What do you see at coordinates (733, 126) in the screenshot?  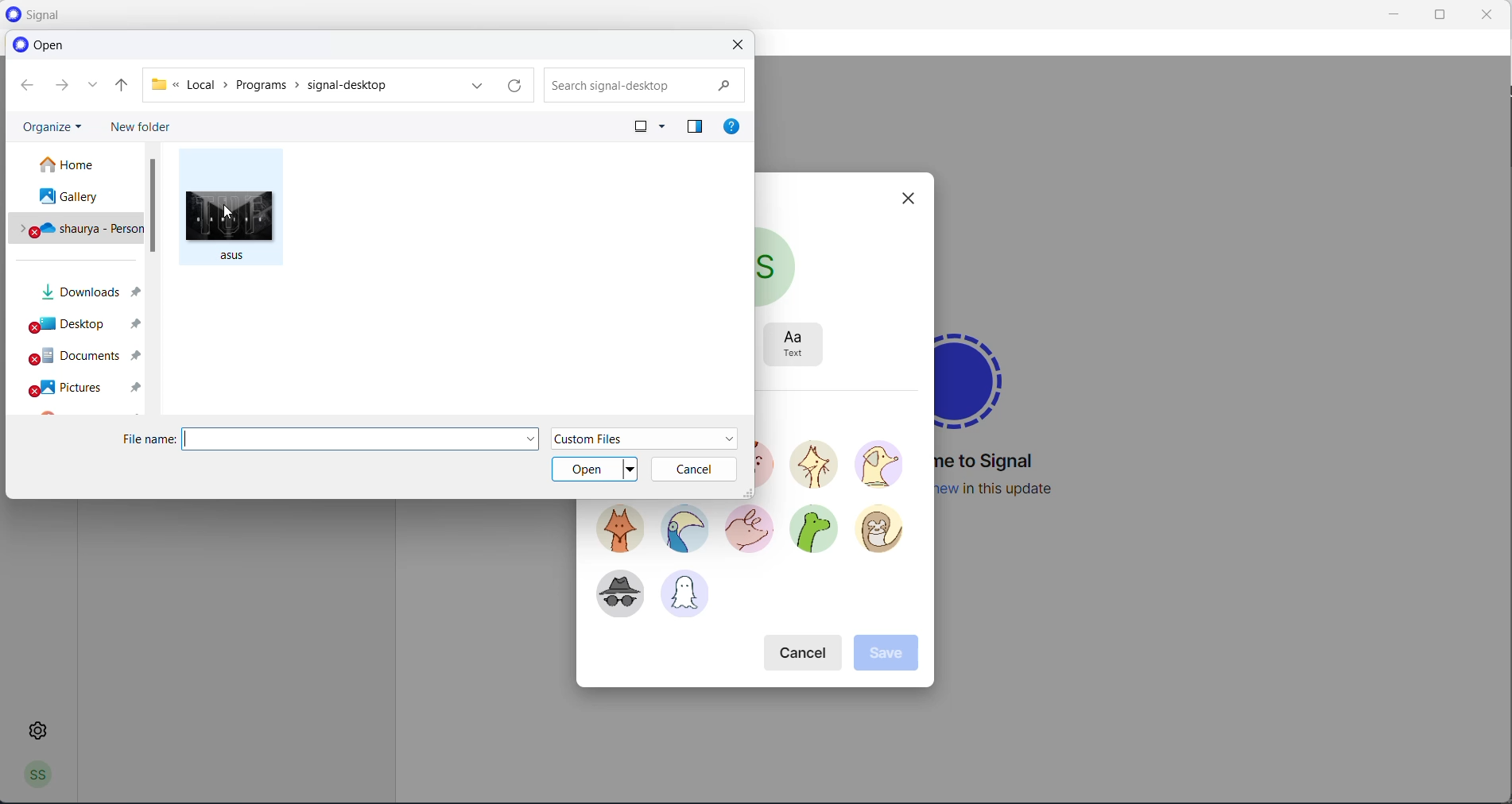 I see `get help` at bounding box center [733, 126].